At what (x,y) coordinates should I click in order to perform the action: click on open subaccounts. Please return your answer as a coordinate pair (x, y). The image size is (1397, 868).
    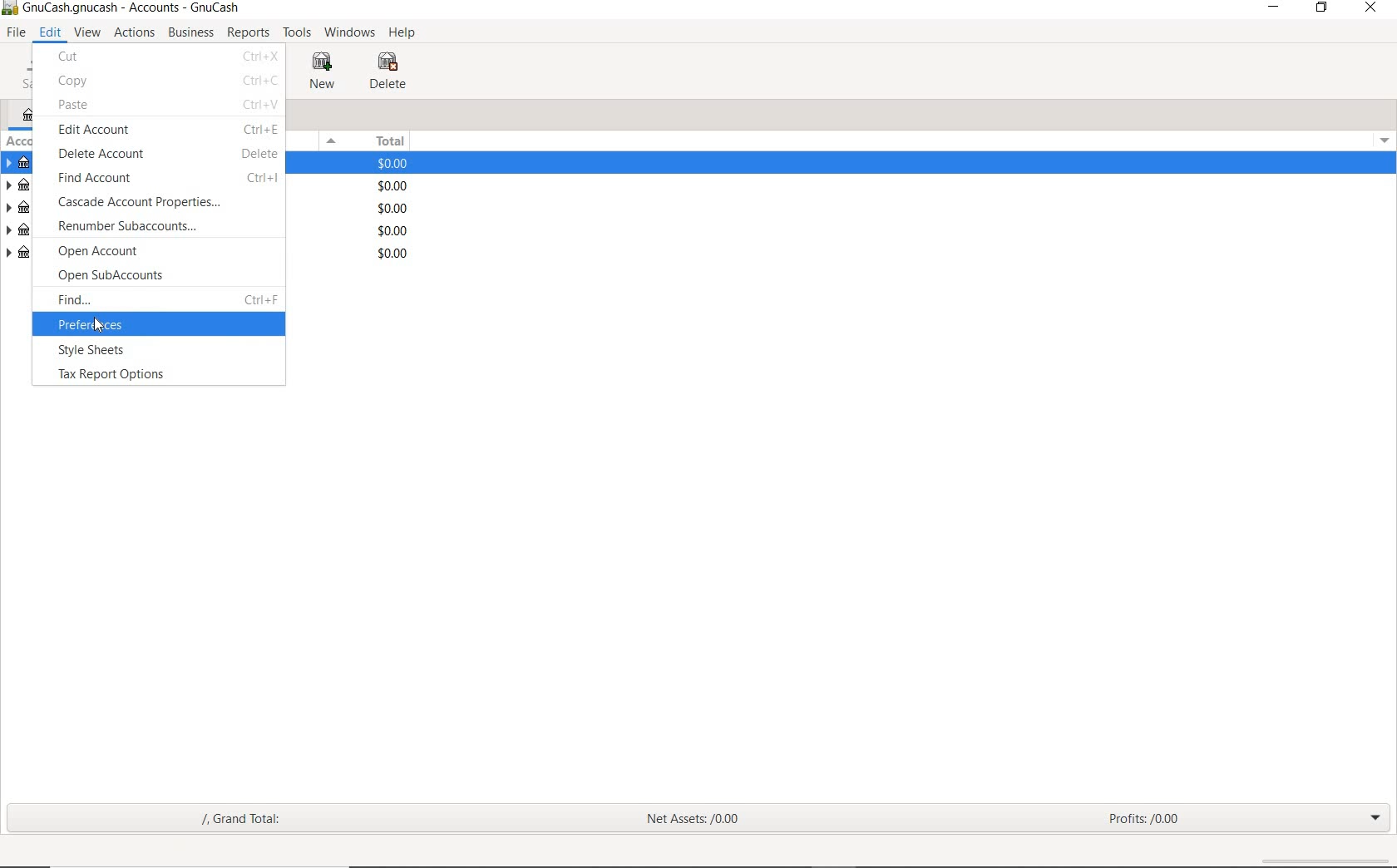
    Looking at the image, I should click on (113, 275).